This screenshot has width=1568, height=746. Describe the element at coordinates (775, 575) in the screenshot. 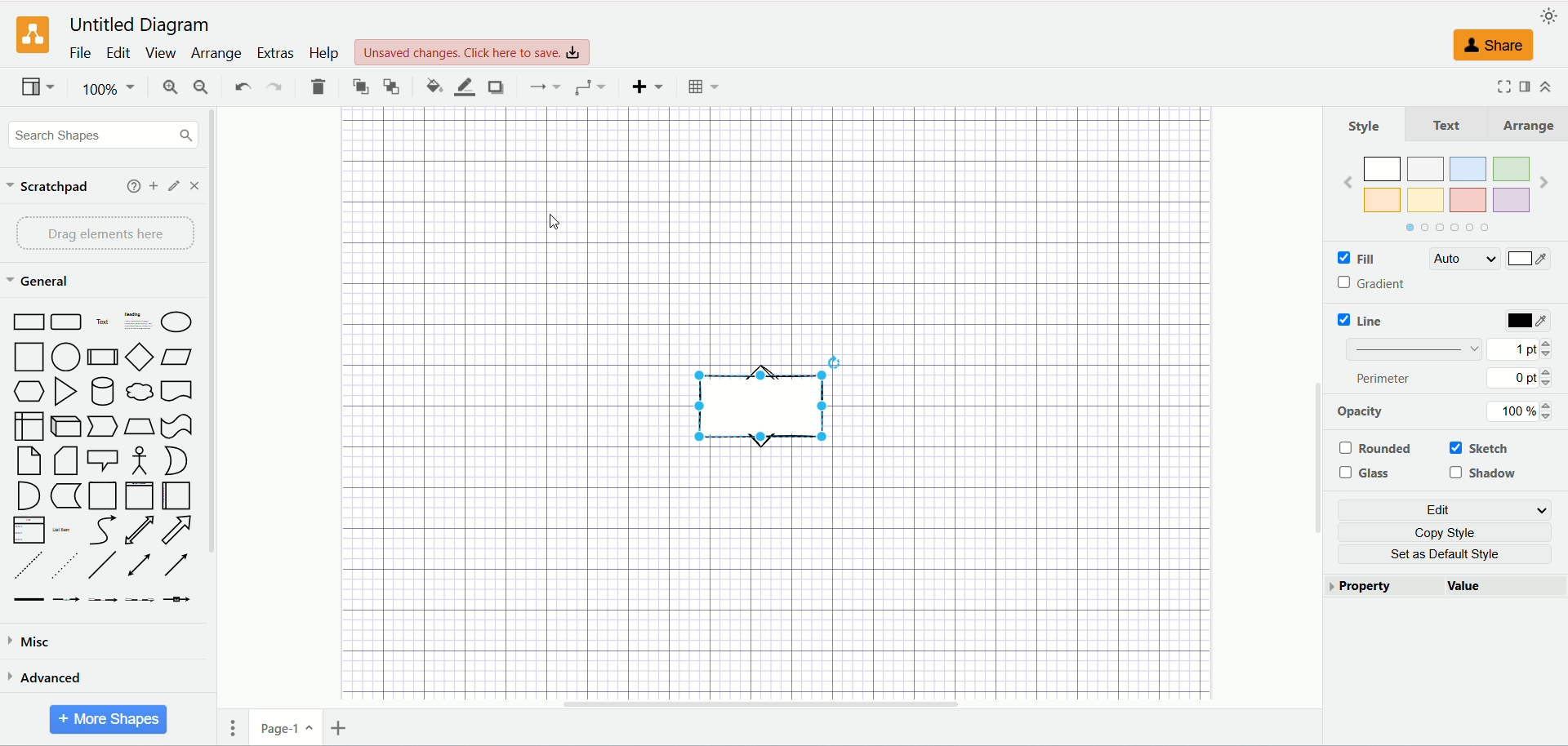

I see `canvas` at that location.